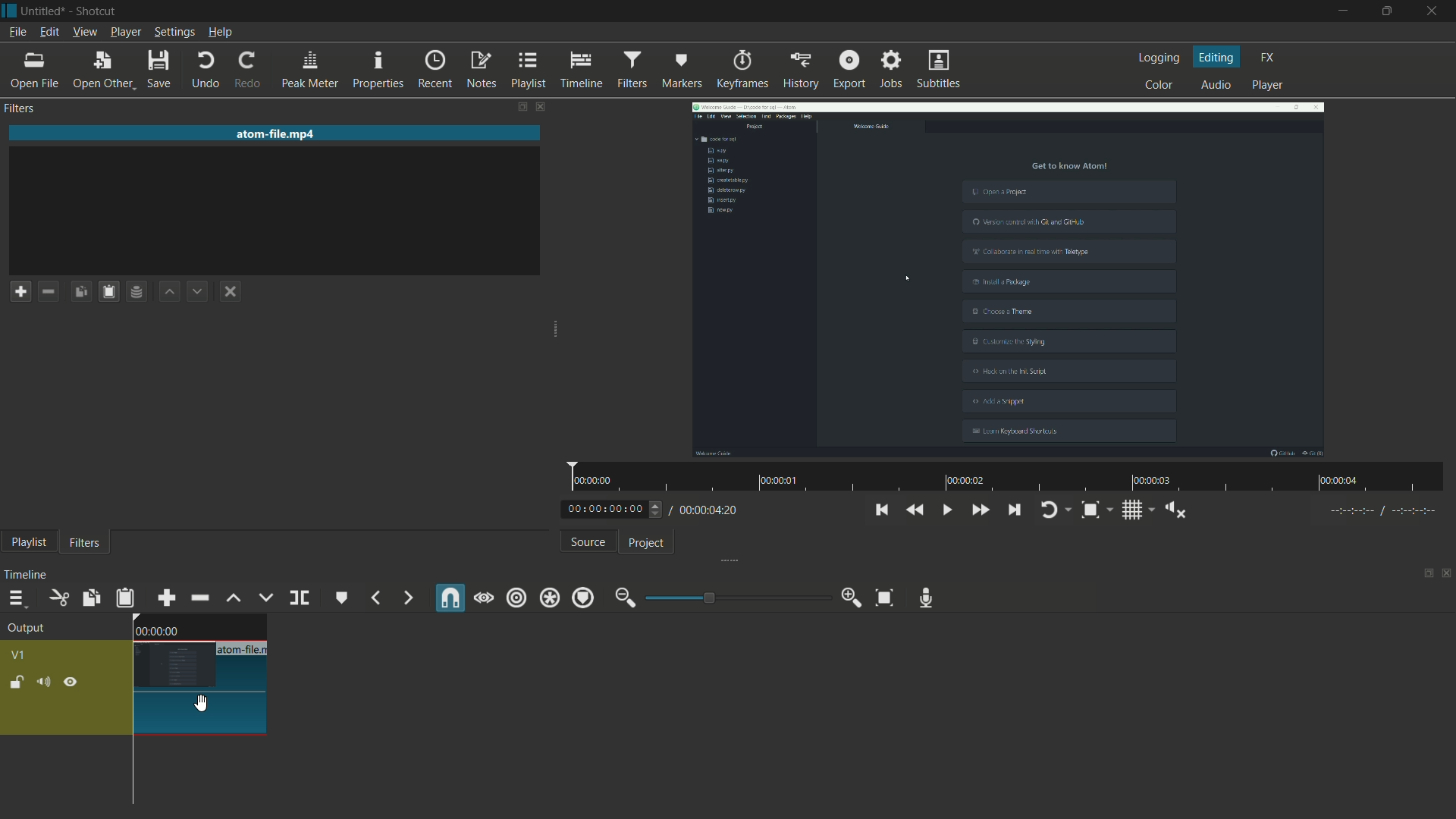 The image size is (1456, 819). I want to click on save filter set, so click(136, 293).